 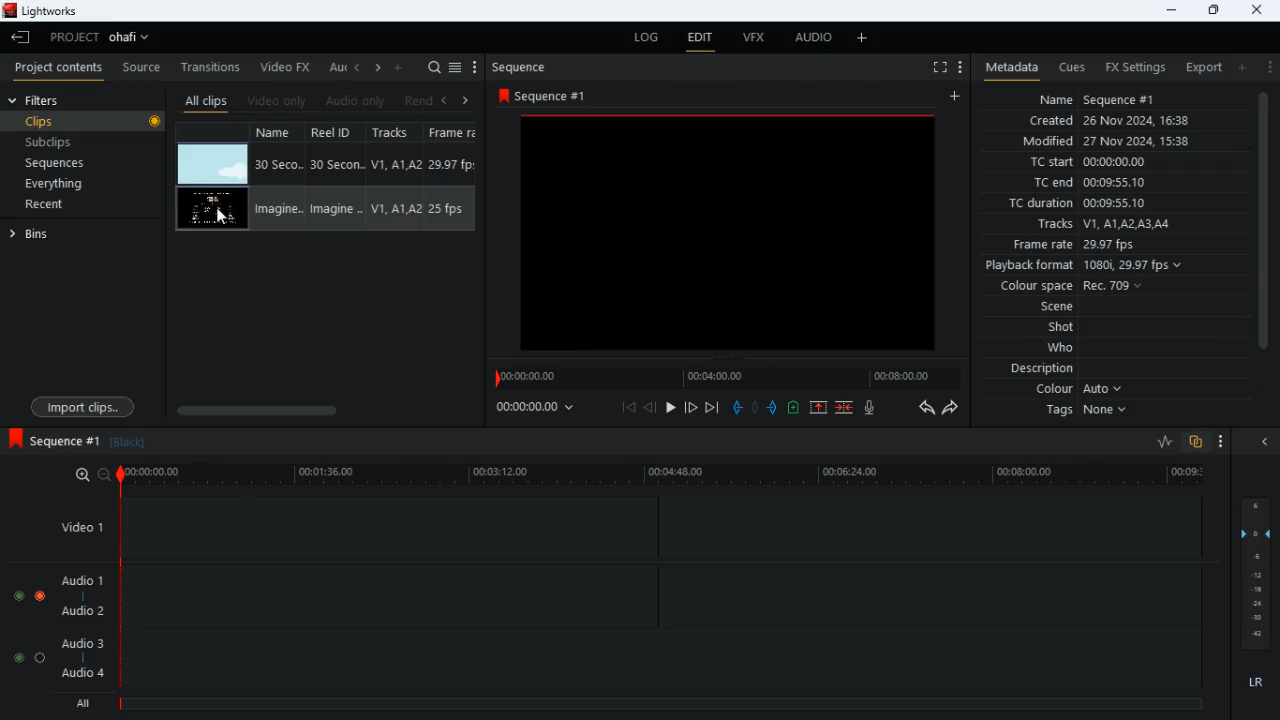 What do you see at coordinates (98, 38) in the screenshot?
I see `project` at bounding box center [98, 38].